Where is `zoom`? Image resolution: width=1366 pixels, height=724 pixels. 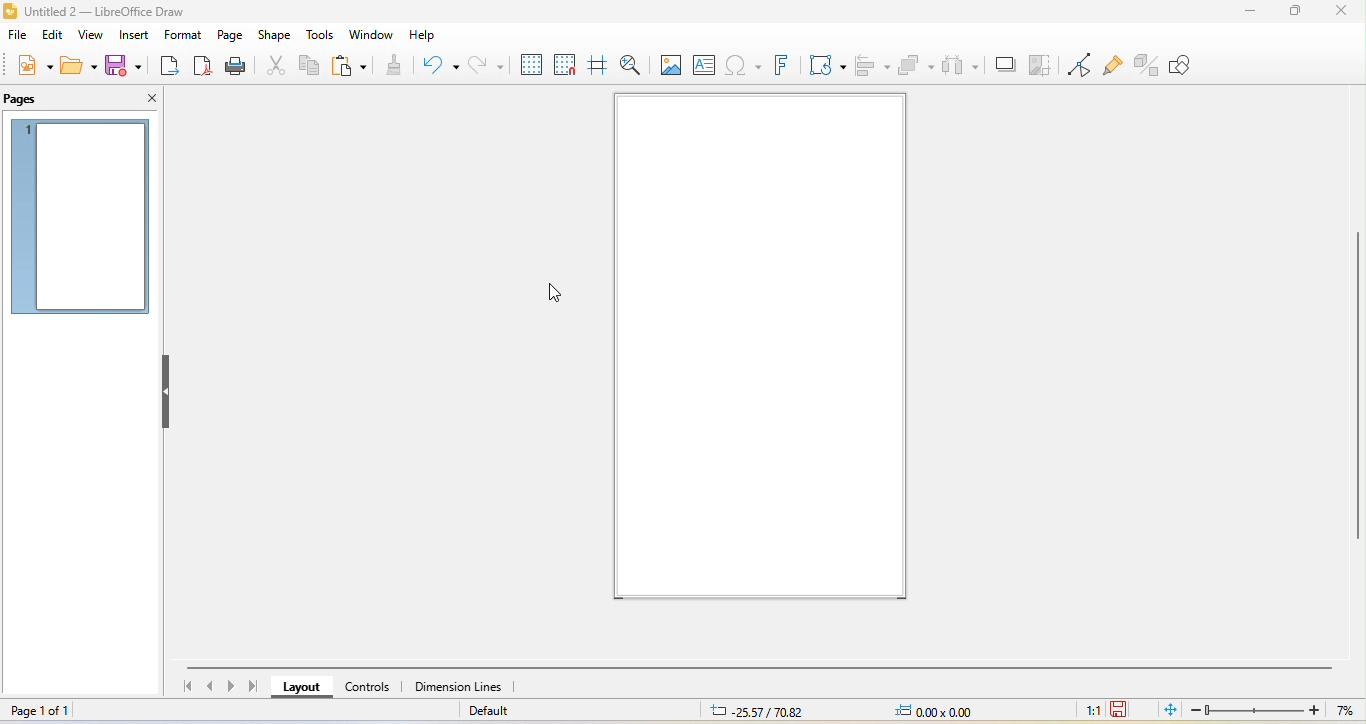 zoom is located at coordinates (1276, 710).